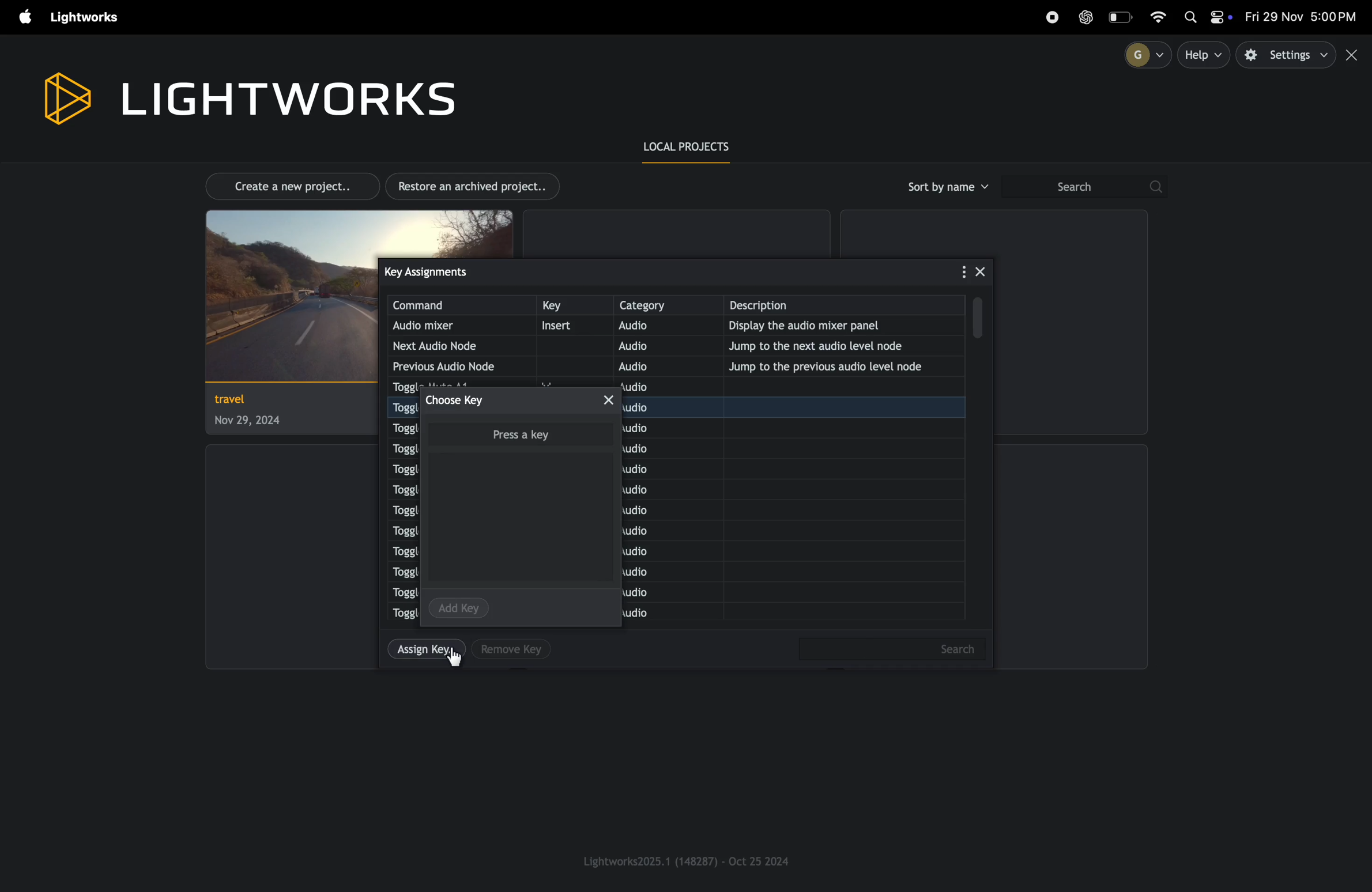 This screenshot has width=1372, height=892. I want to click on key, so click(571, 306).